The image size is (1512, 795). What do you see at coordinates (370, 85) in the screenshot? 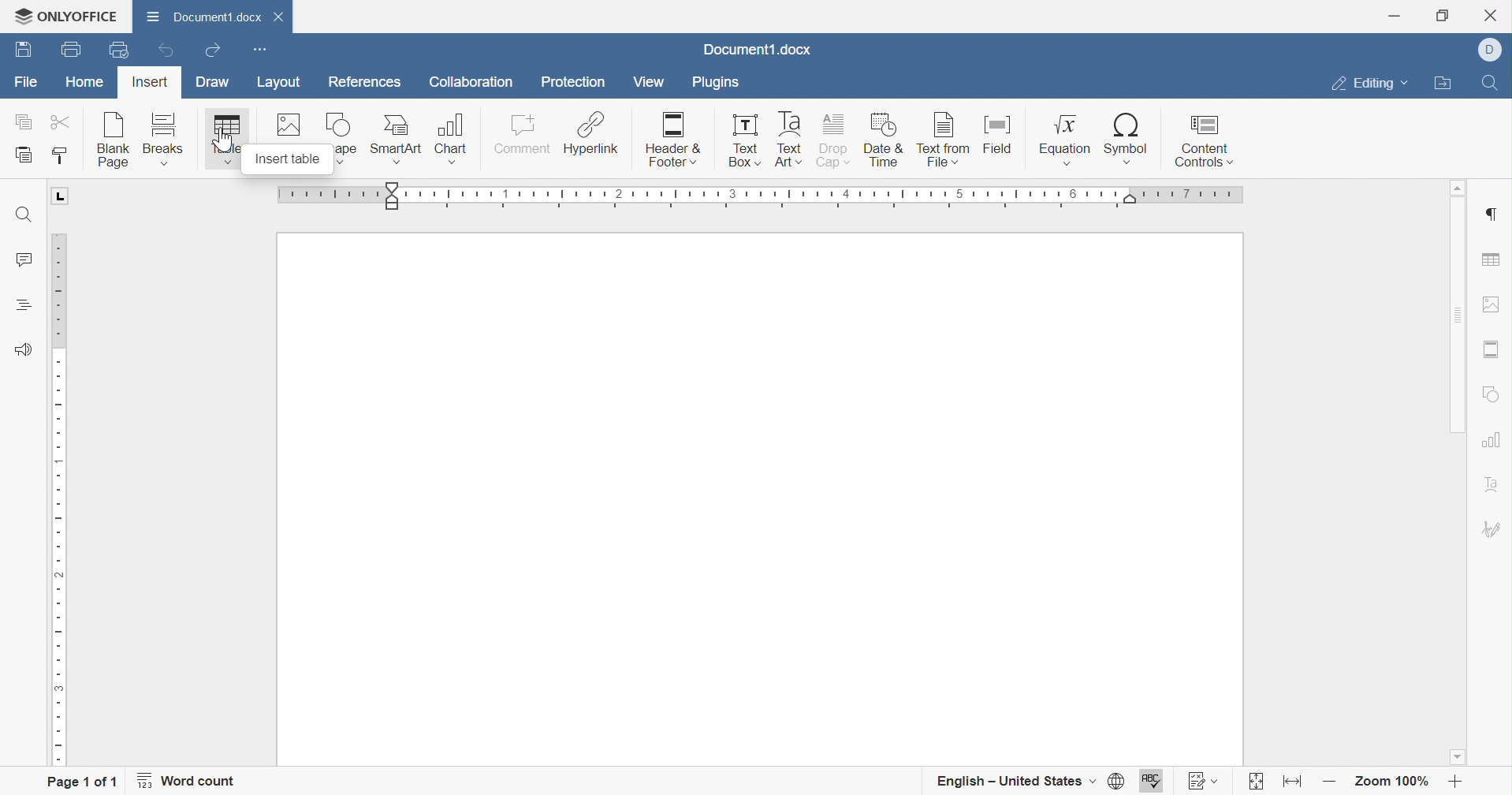
I see `References` at bounding box center [370, 85].